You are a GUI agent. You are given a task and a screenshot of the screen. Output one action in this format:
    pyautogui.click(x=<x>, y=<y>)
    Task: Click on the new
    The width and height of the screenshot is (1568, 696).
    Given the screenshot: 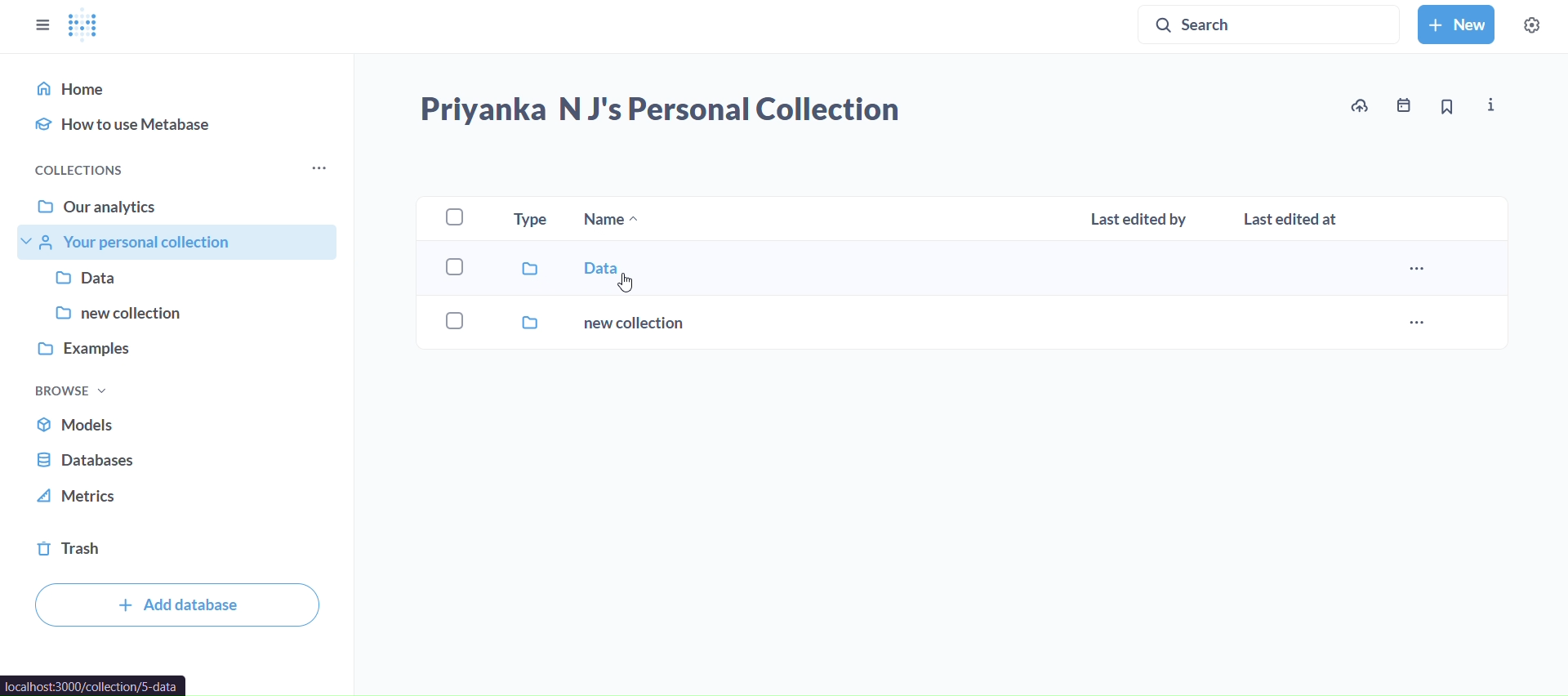 What is the action you would take?
    pyautogui.click(x=1456, y=24)
    